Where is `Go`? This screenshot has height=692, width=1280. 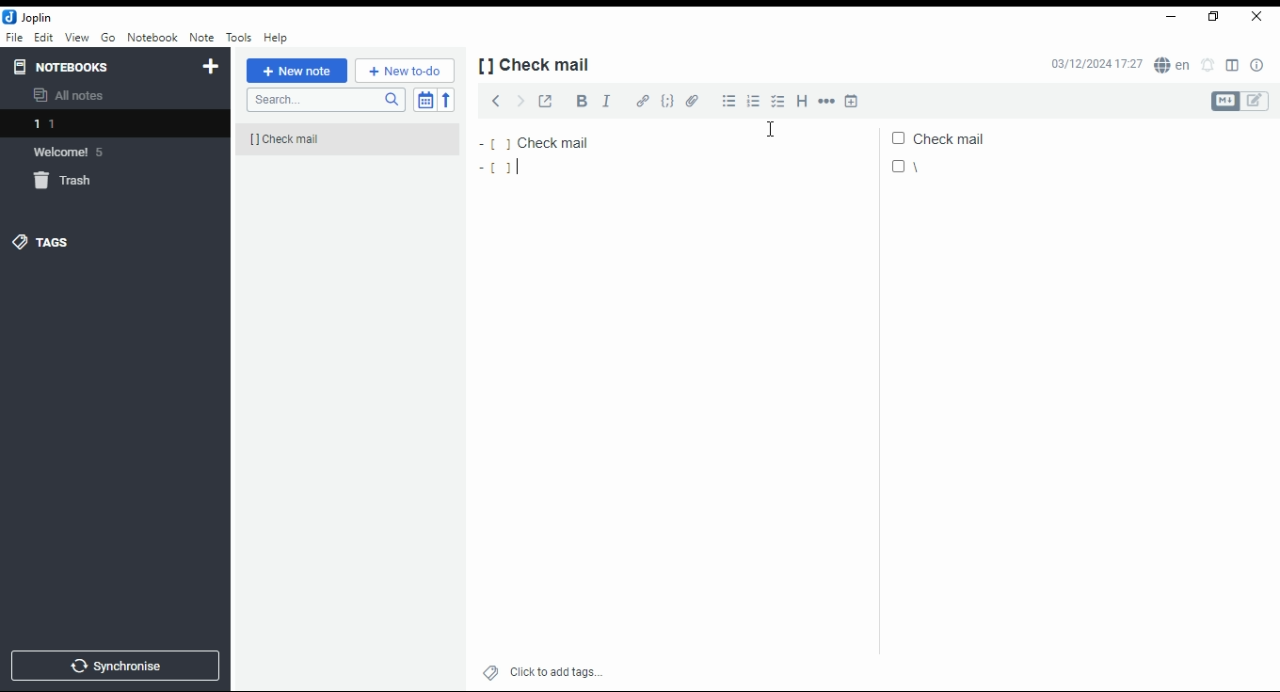
Go is located at coordinates (108, 36).